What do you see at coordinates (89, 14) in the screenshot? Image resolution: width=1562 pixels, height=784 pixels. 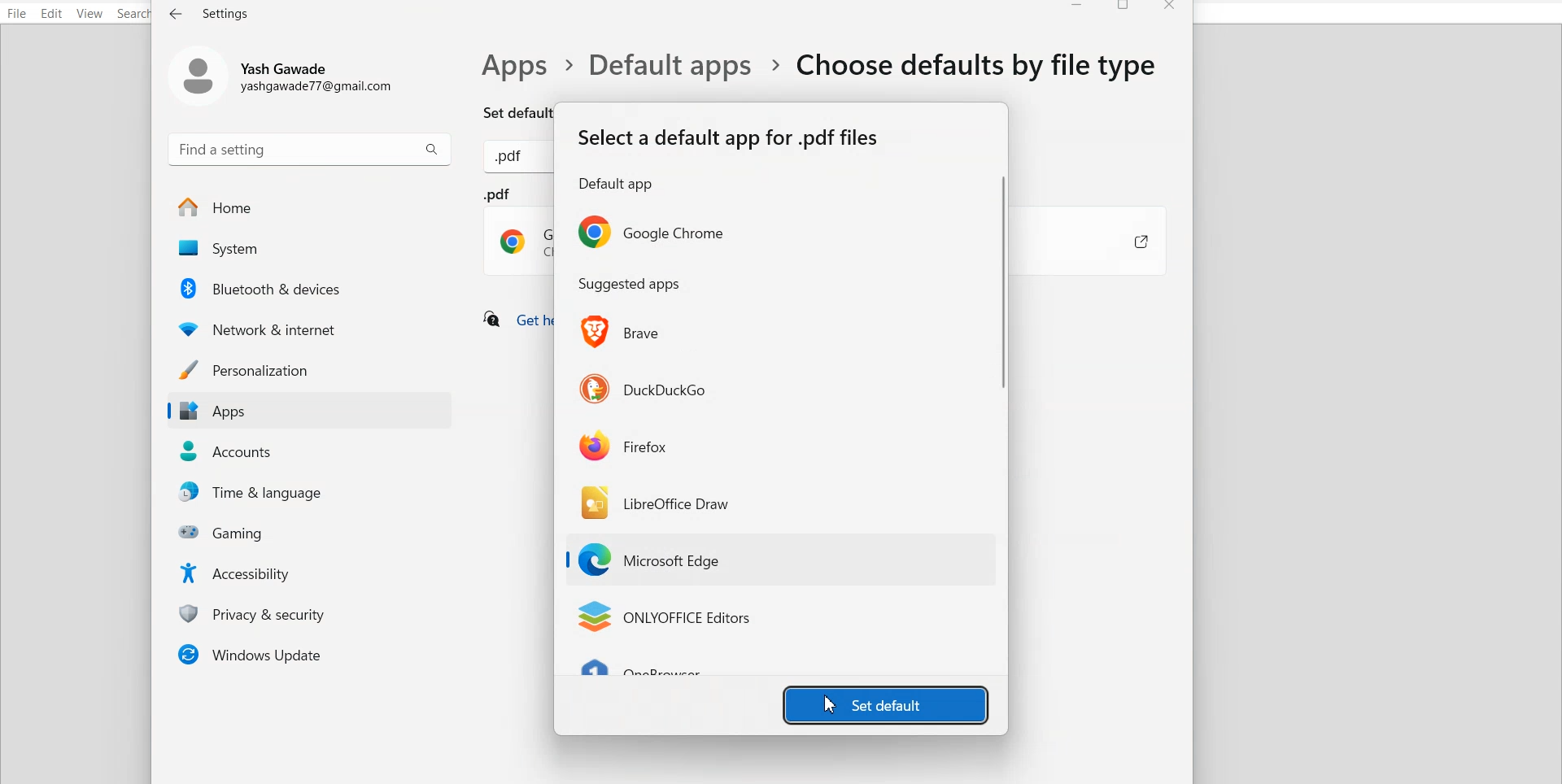 I see `View` at bounding box center [89, 14].